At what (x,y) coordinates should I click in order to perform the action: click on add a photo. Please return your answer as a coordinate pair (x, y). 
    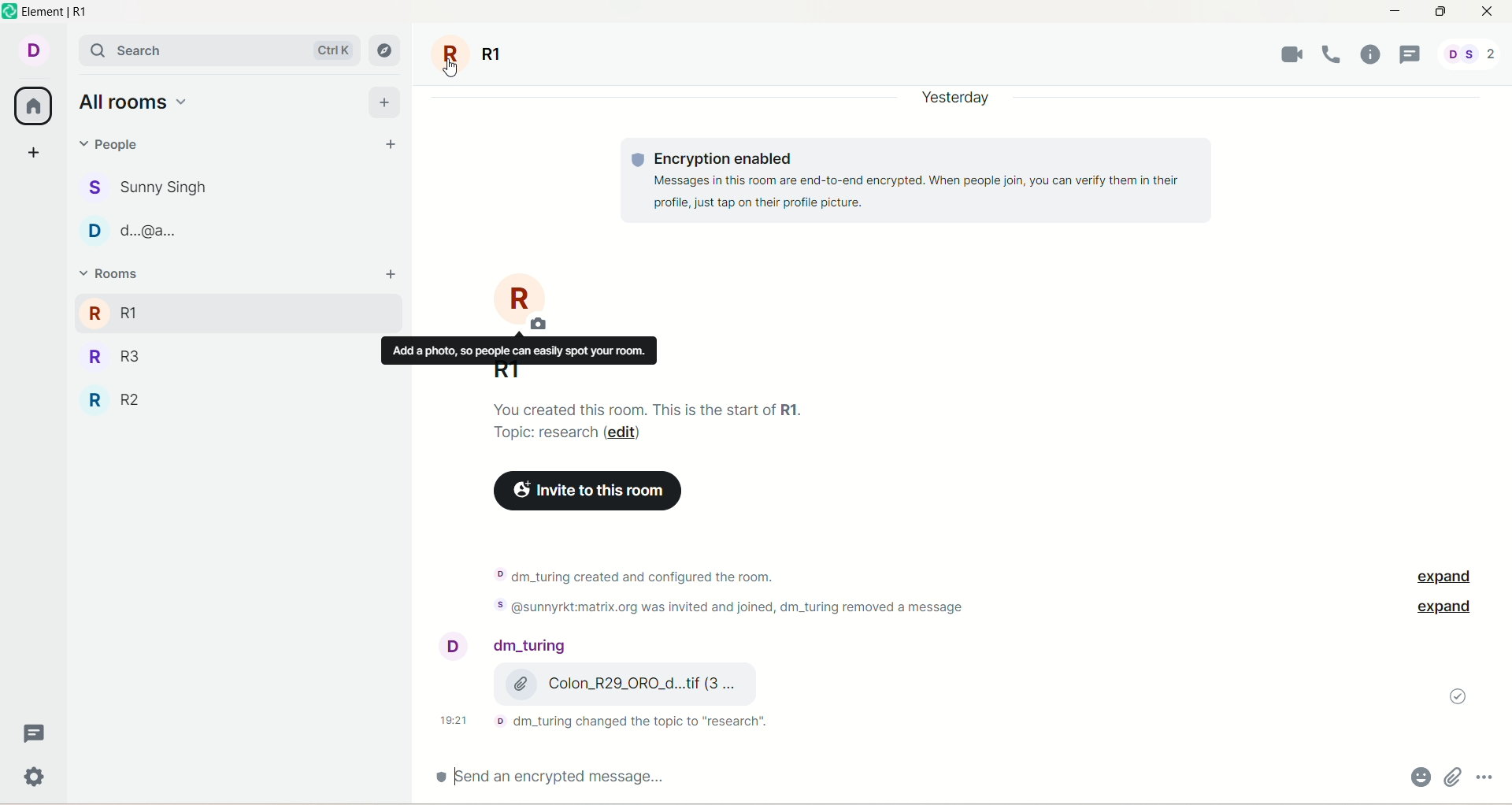
    Looking at the image, I should click on (526, 352).